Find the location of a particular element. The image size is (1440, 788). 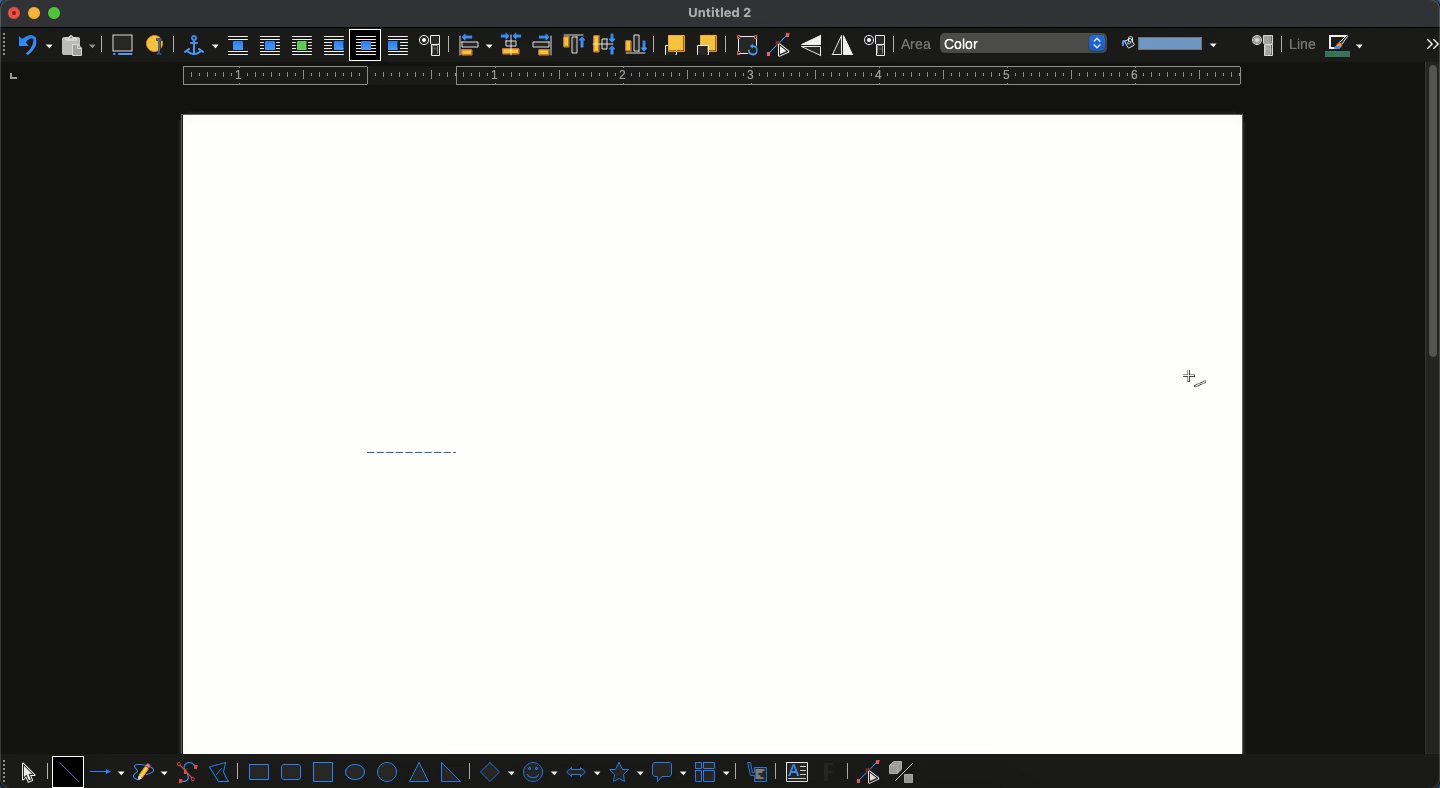

curve is located at coordinates (186, 772).